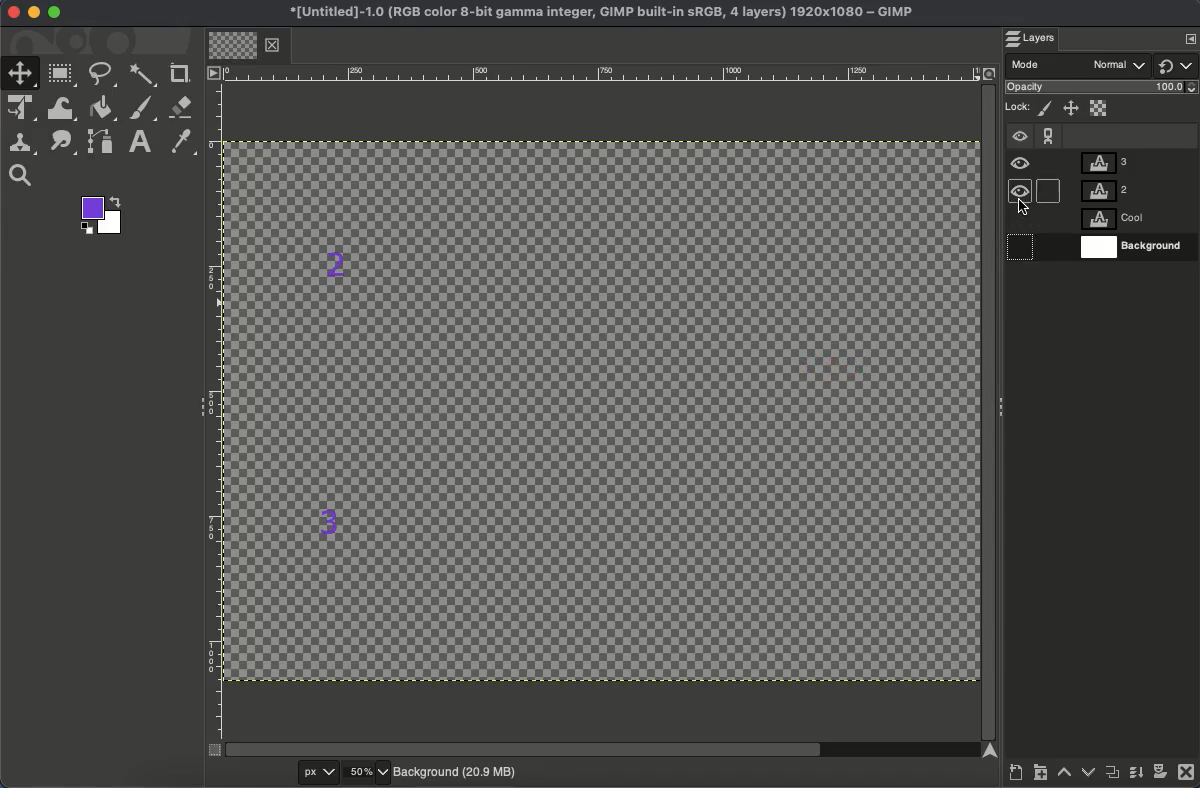 The width and height of the screenshot is (1200, 788). Describe the element at coordinates (25, 143) in the screenshot. I see `Clone` at that location.